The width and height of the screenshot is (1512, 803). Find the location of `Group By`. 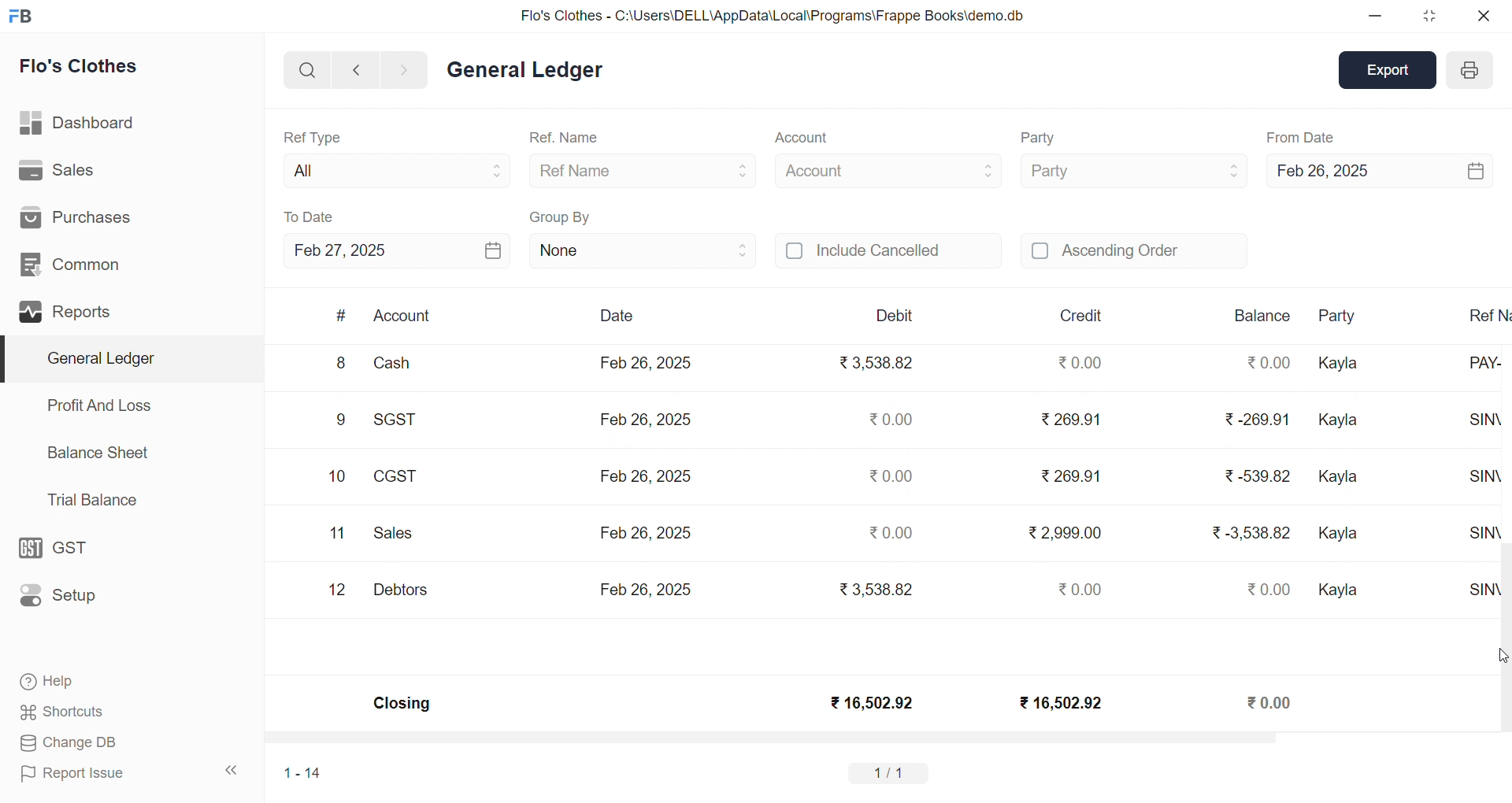

Group By is located at coordinates (561, 215).